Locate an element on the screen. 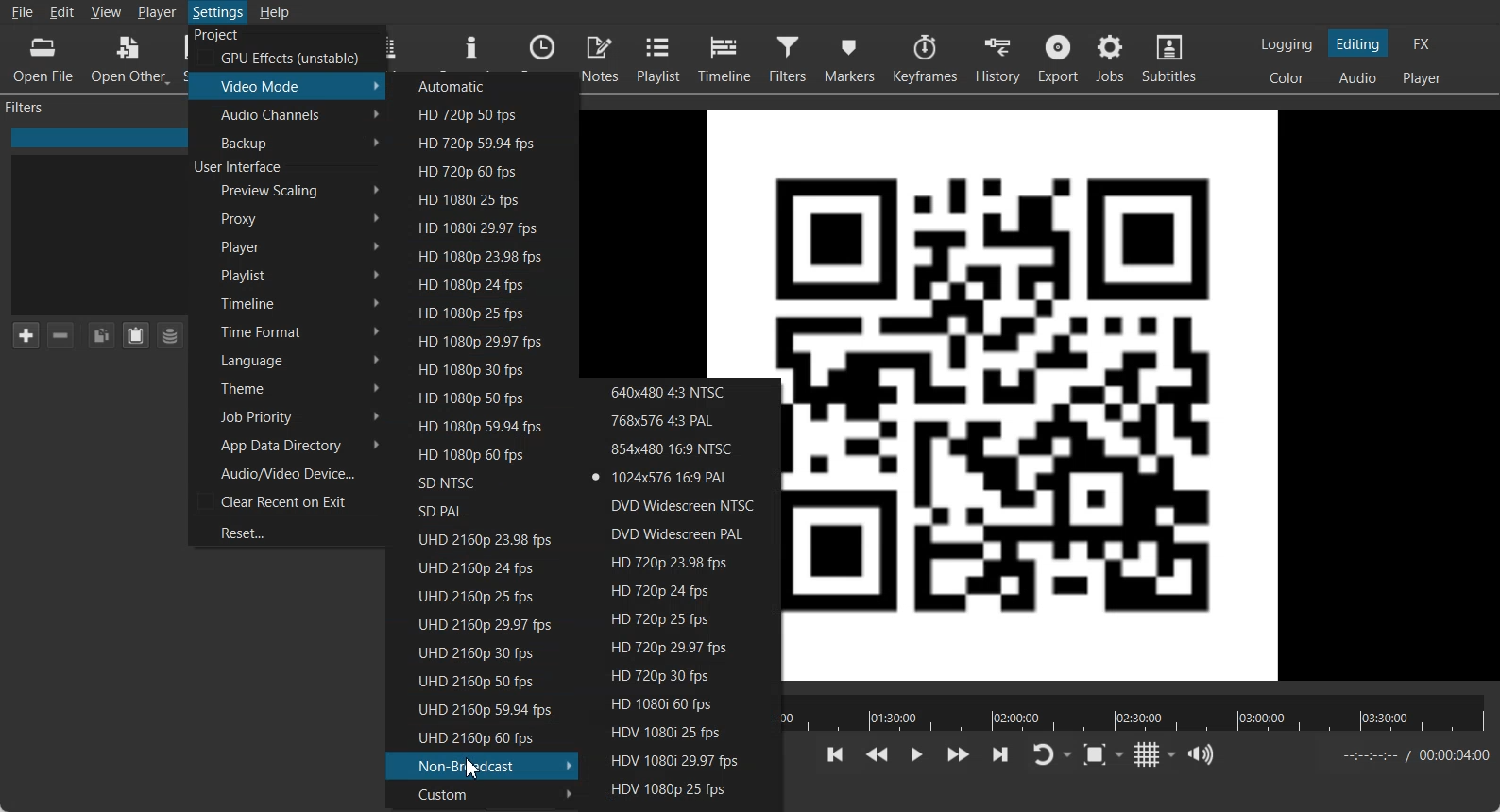 This screenshot has height=812, width=1500. Switch to the Editing layout is located at coordinates (1359, 43).